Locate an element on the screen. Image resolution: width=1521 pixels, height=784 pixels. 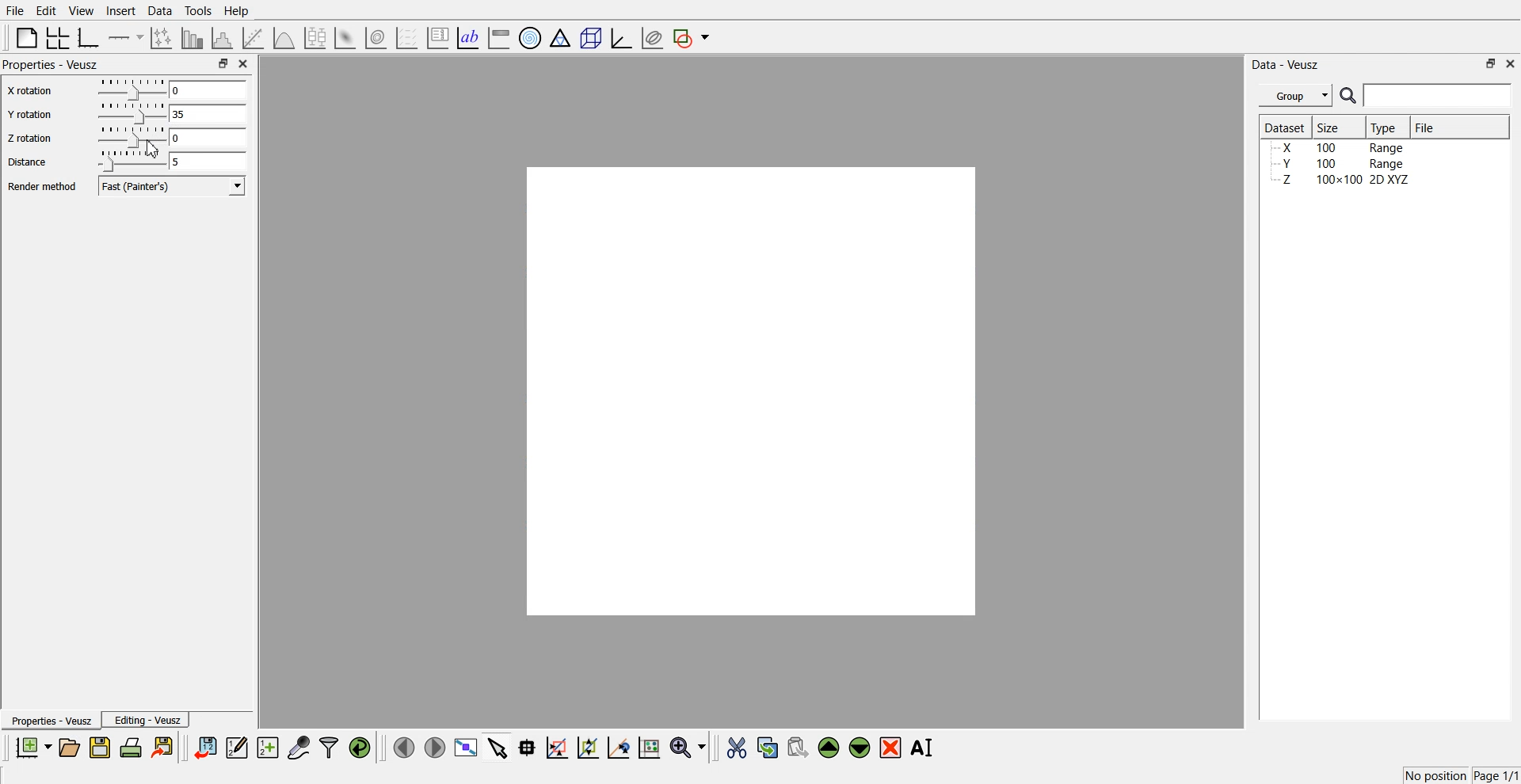
3D Volume is located at coordinates (375, 38).